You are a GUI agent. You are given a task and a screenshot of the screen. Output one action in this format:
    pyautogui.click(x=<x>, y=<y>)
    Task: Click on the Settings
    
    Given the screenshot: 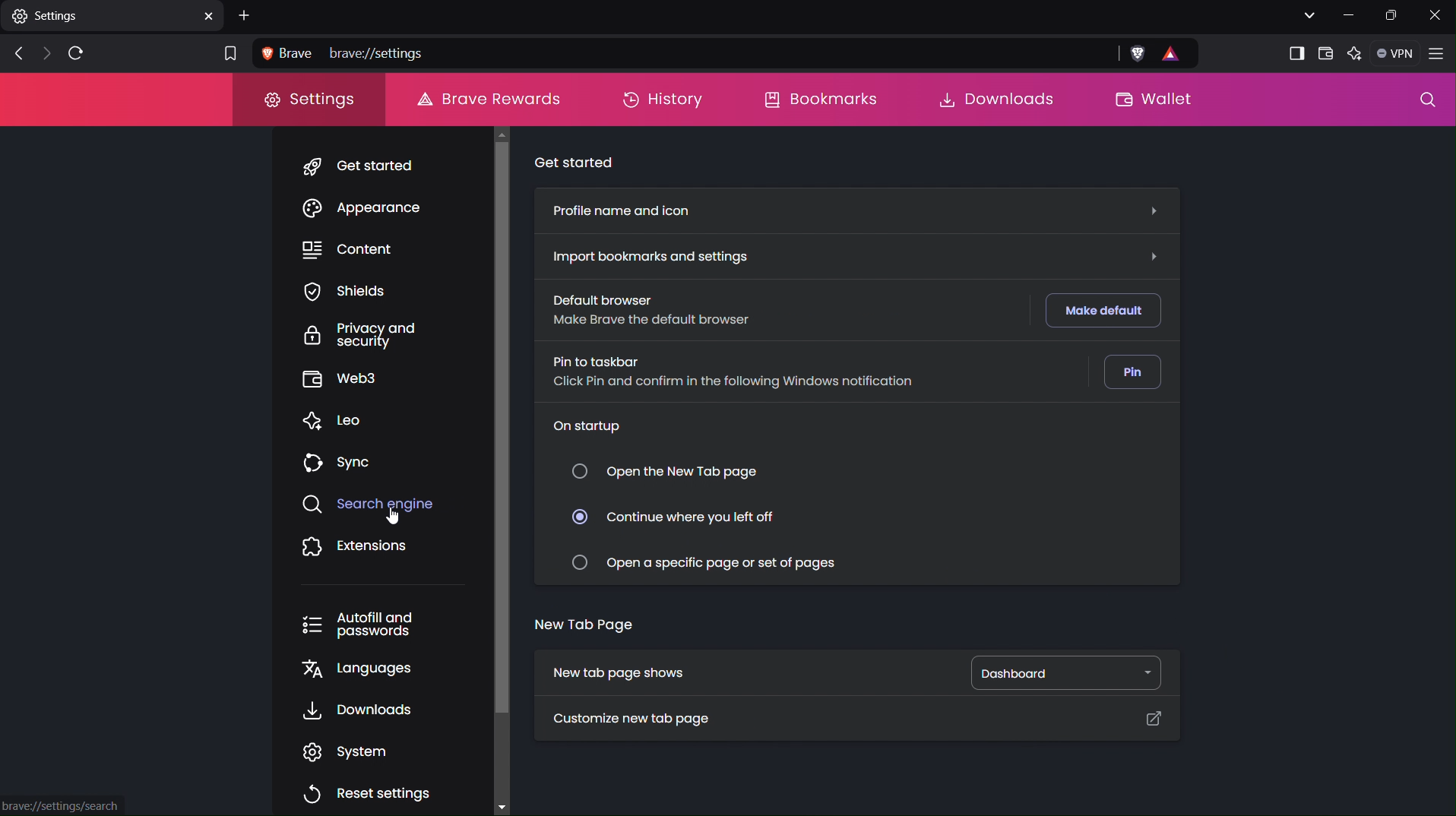 What is the action you would take?
    pyautogui.click(x=308, y=100)
    